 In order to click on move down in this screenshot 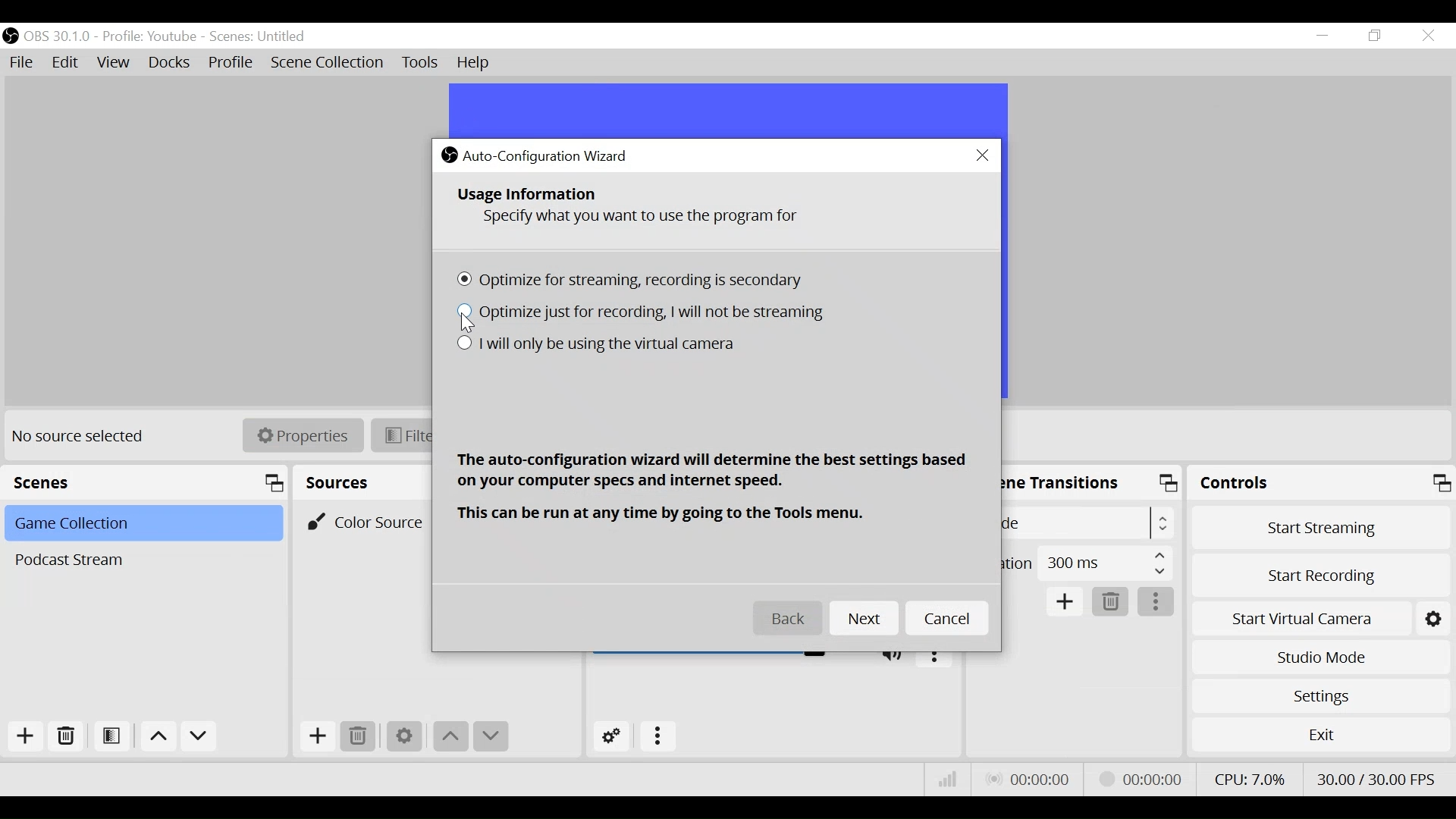, I will do `click(492, 738)`.